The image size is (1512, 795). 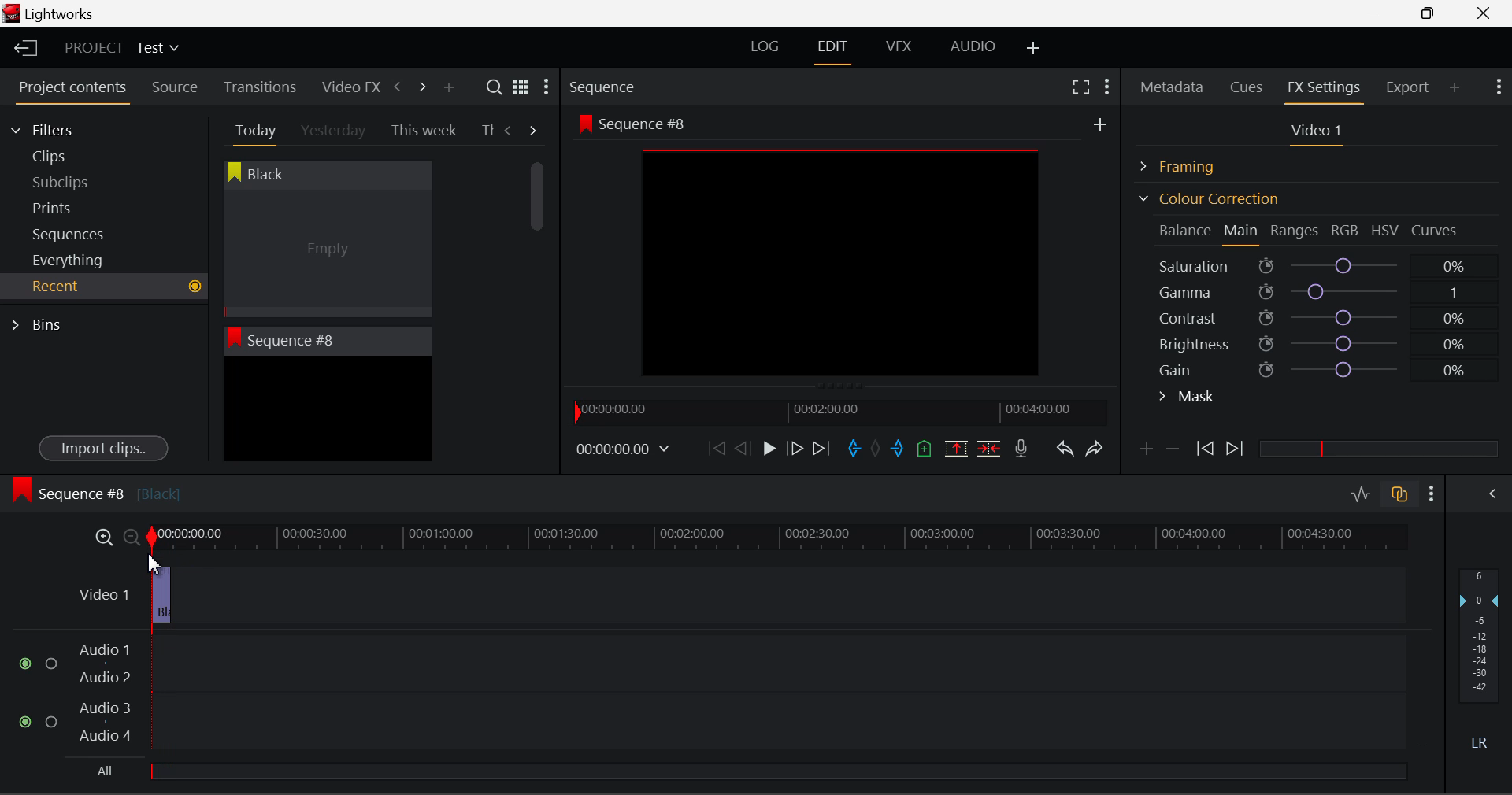 What do you see at coordinates (175, 87) in the screenshot?
I see `Source` at bounding box center [175, 87].